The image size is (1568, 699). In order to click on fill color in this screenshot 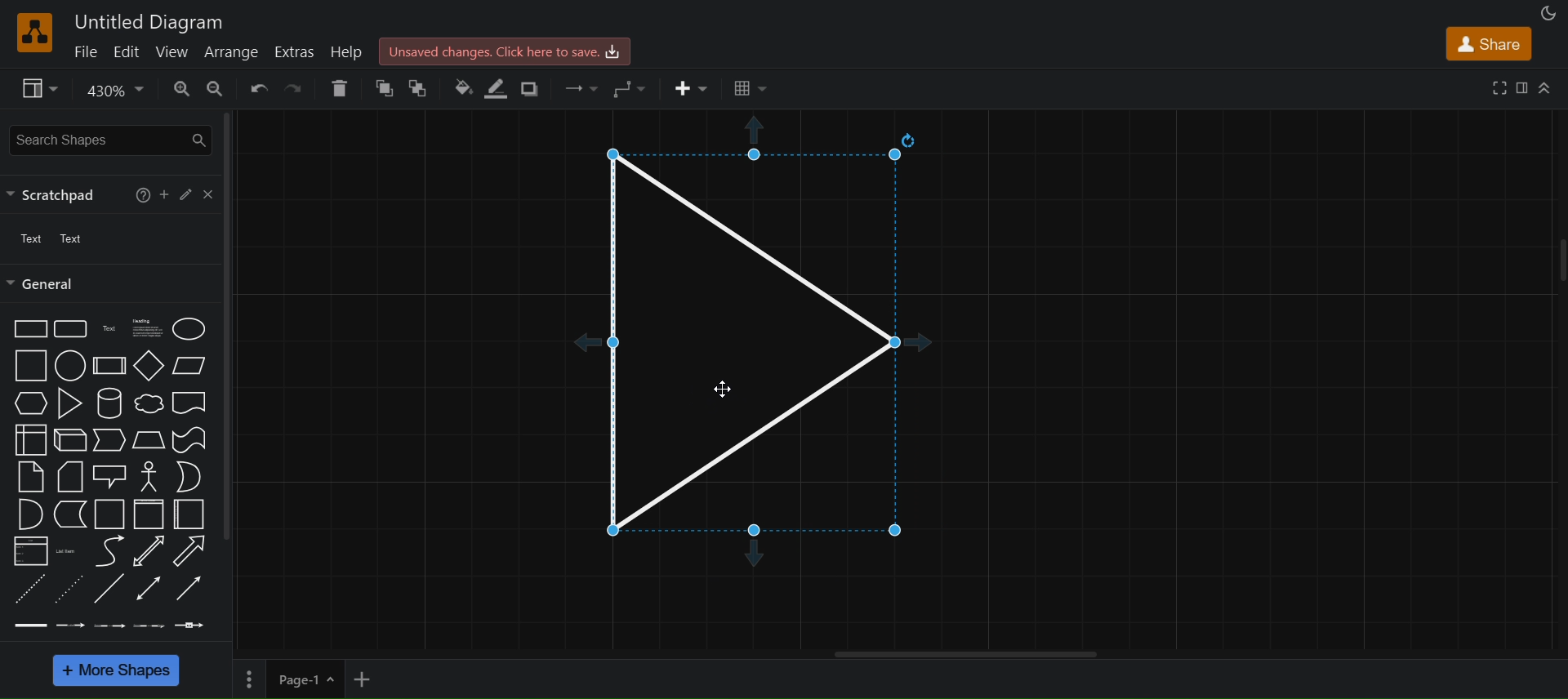, I will do `click(461, 84)`.